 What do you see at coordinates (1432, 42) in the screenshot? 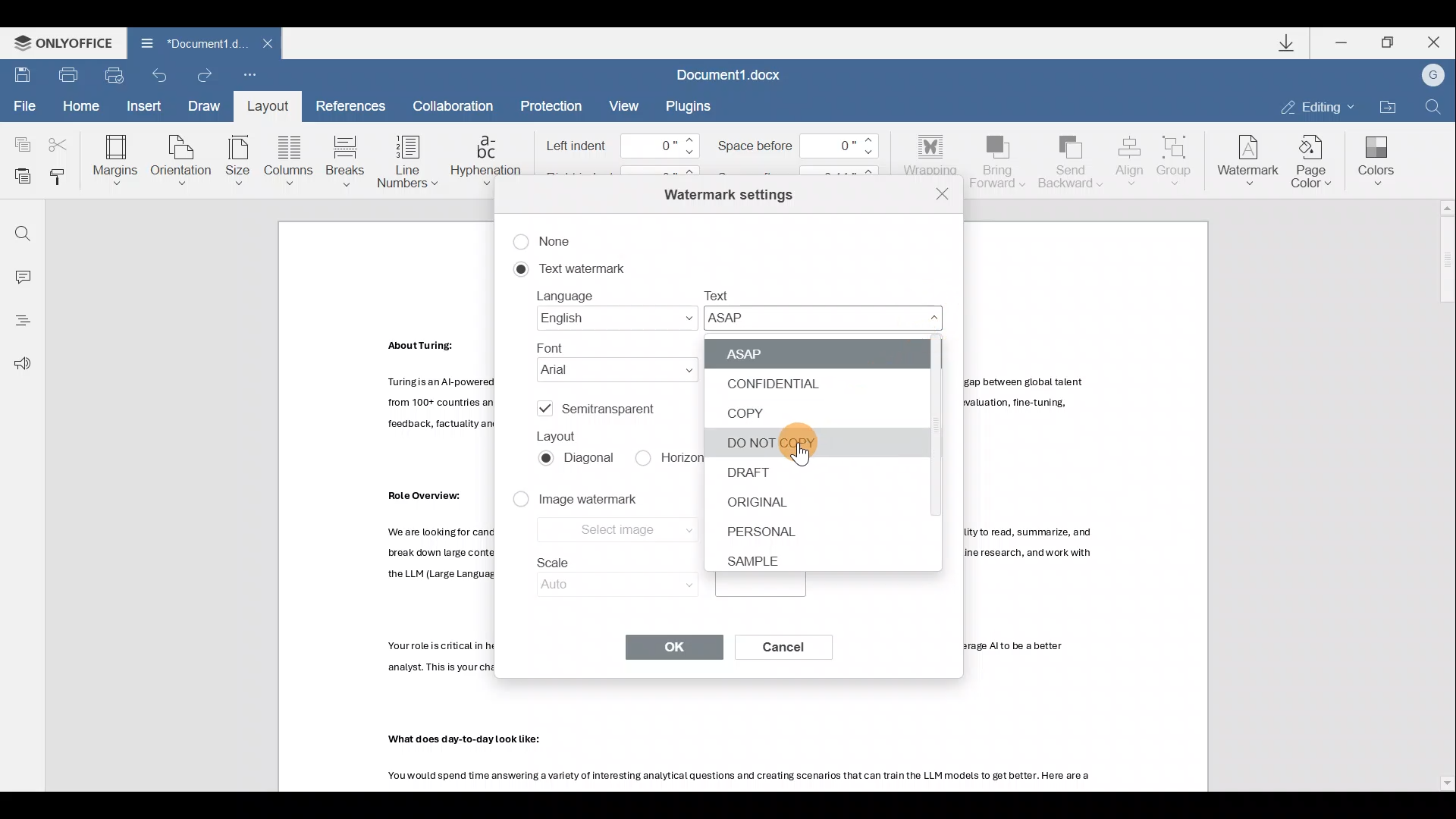
I see `Close` at bounding box center [1432, 42].